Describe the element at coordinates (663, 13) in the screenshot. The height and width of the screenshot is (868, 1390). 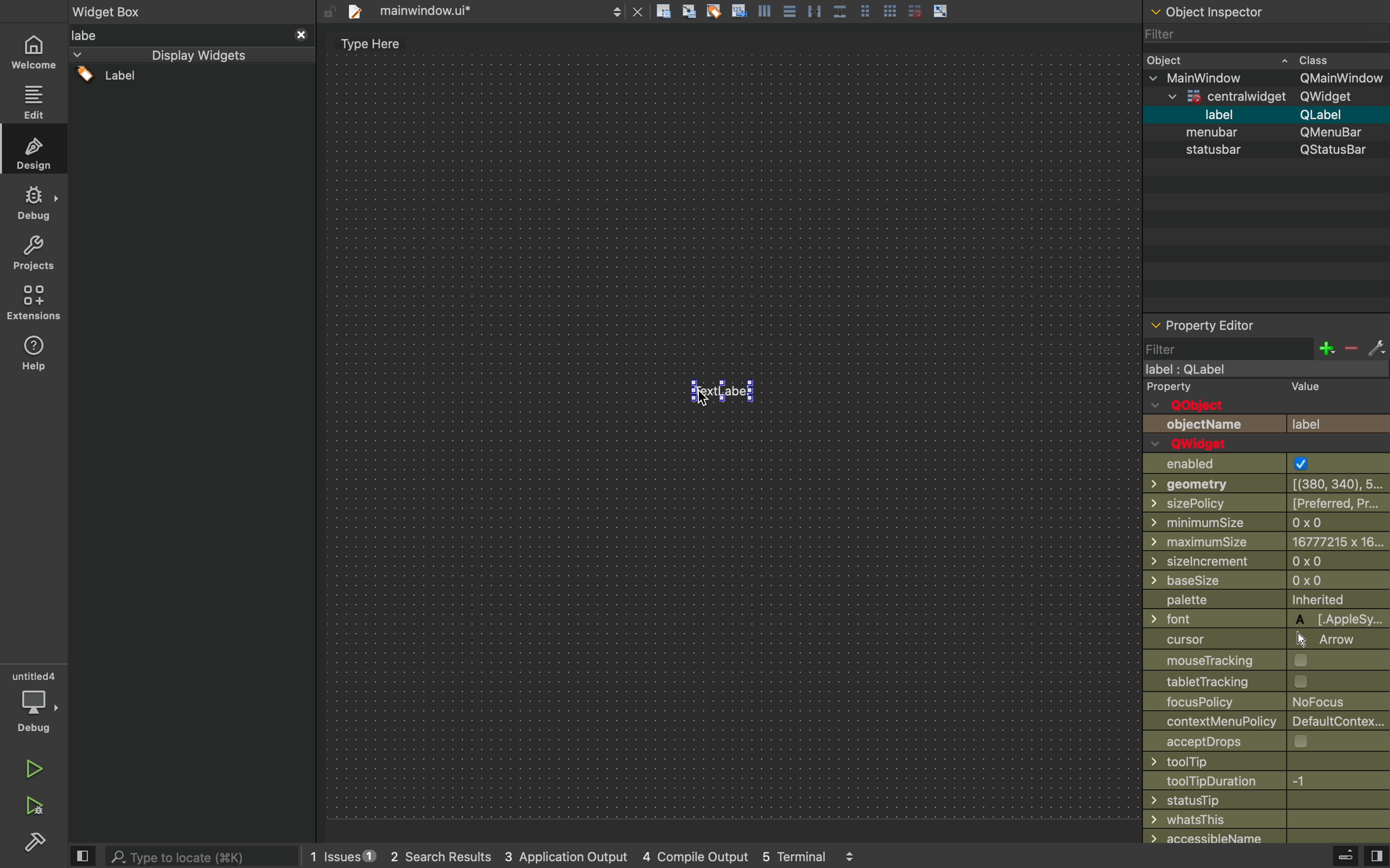
I see `file actions` at that location.